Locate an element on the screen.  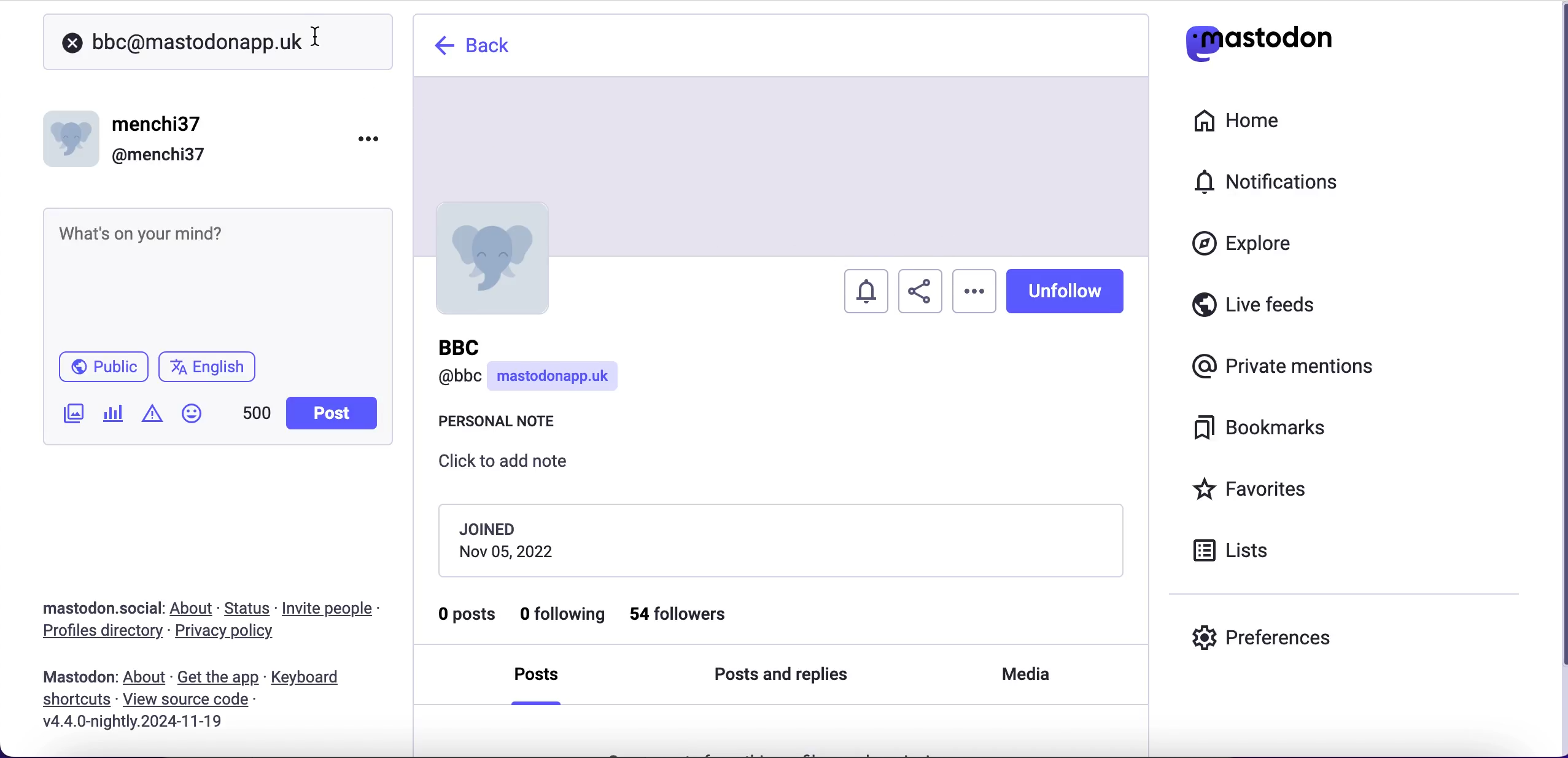
unfollow is located at coordinates (1073, 291).